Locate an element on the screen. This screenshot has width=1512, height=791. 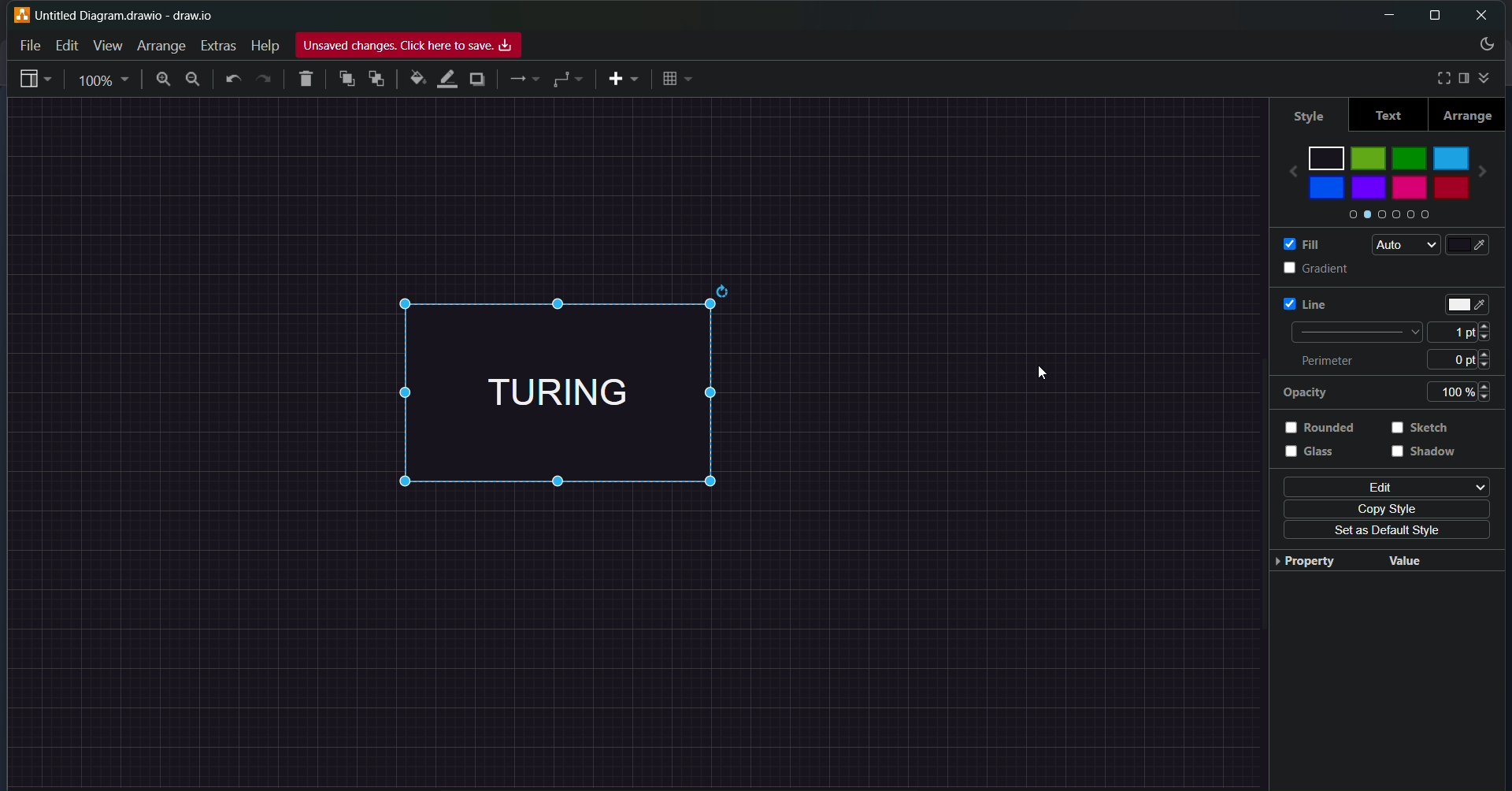
Unsaved changes. Click here to save. os is located at coordinates (409, 46).